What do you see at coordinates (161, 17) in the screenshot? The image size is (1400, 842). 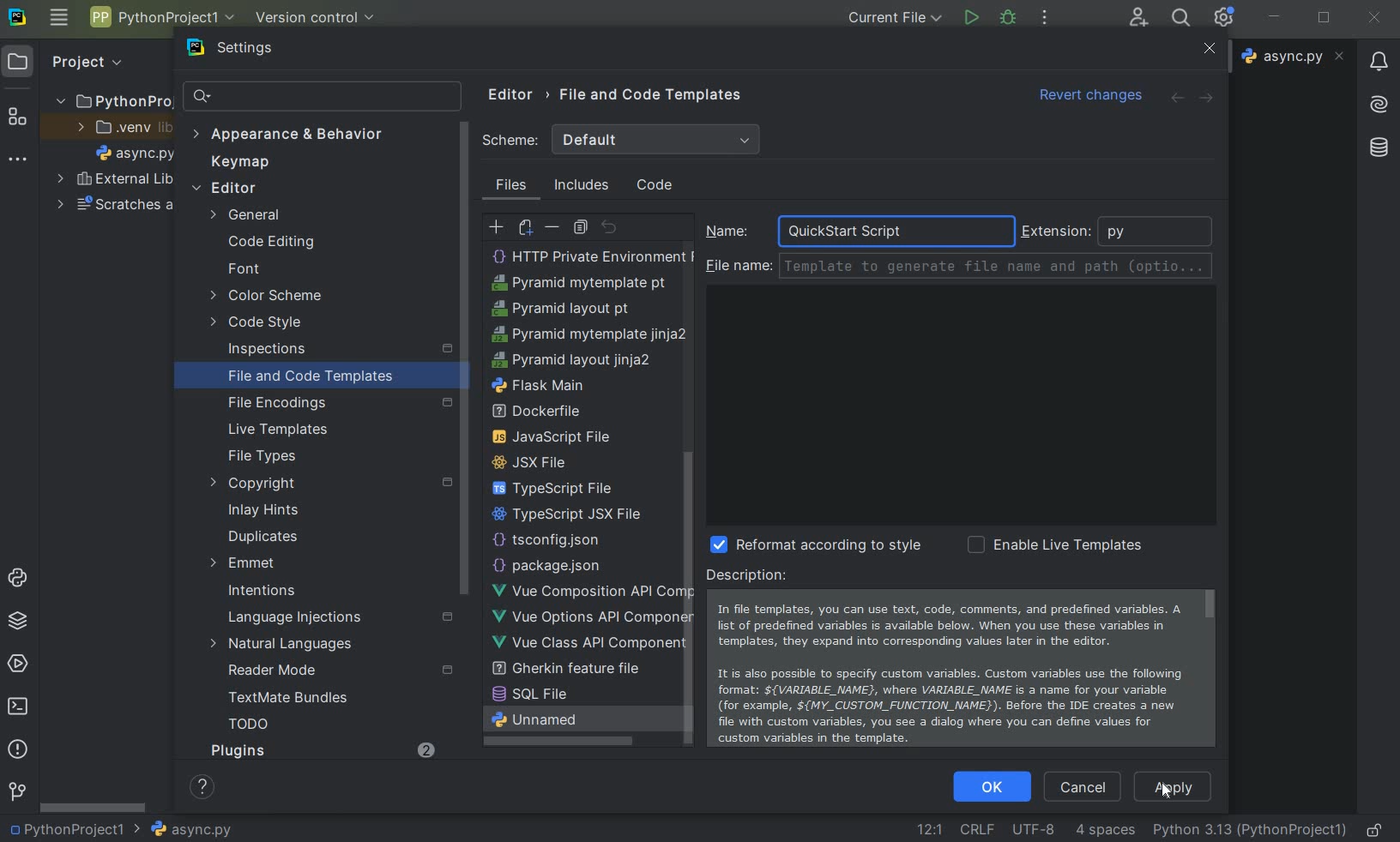 I see `project name` at bounding box center [161, 17].